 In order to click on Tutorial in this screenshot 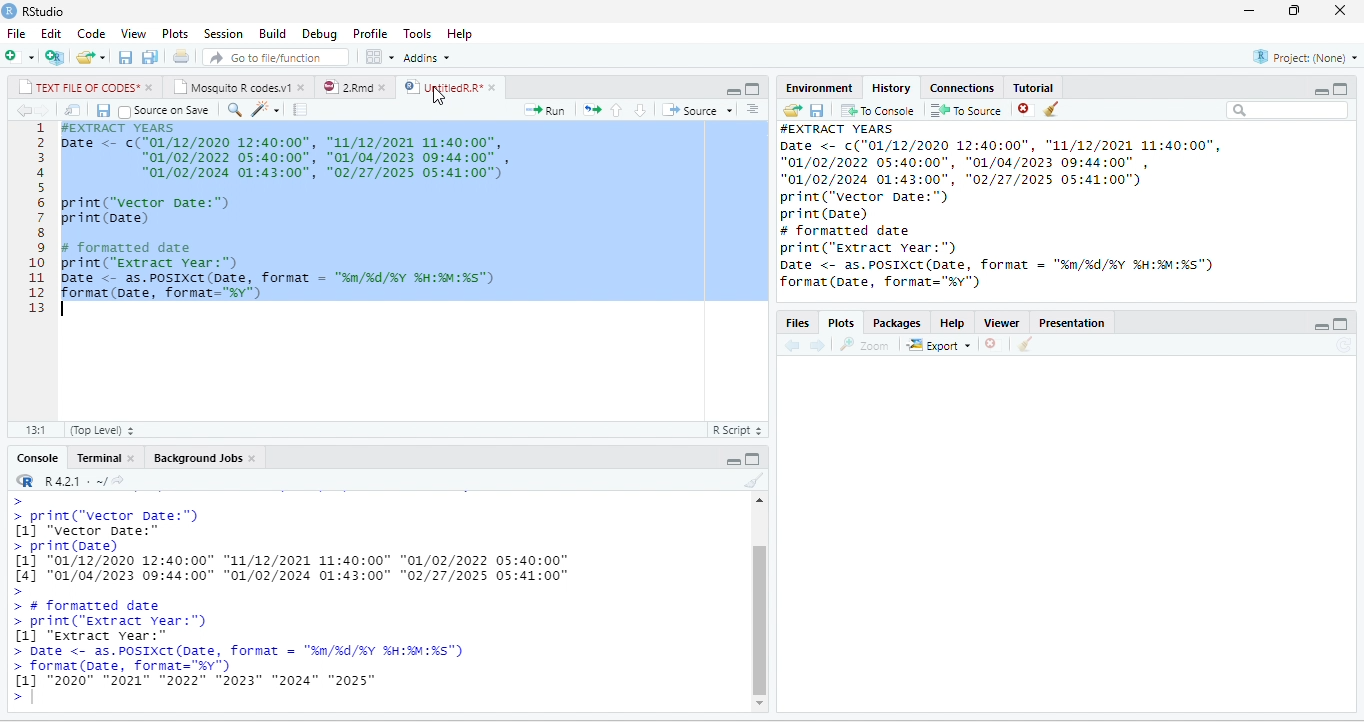, I will do `click(1034, 88)`.